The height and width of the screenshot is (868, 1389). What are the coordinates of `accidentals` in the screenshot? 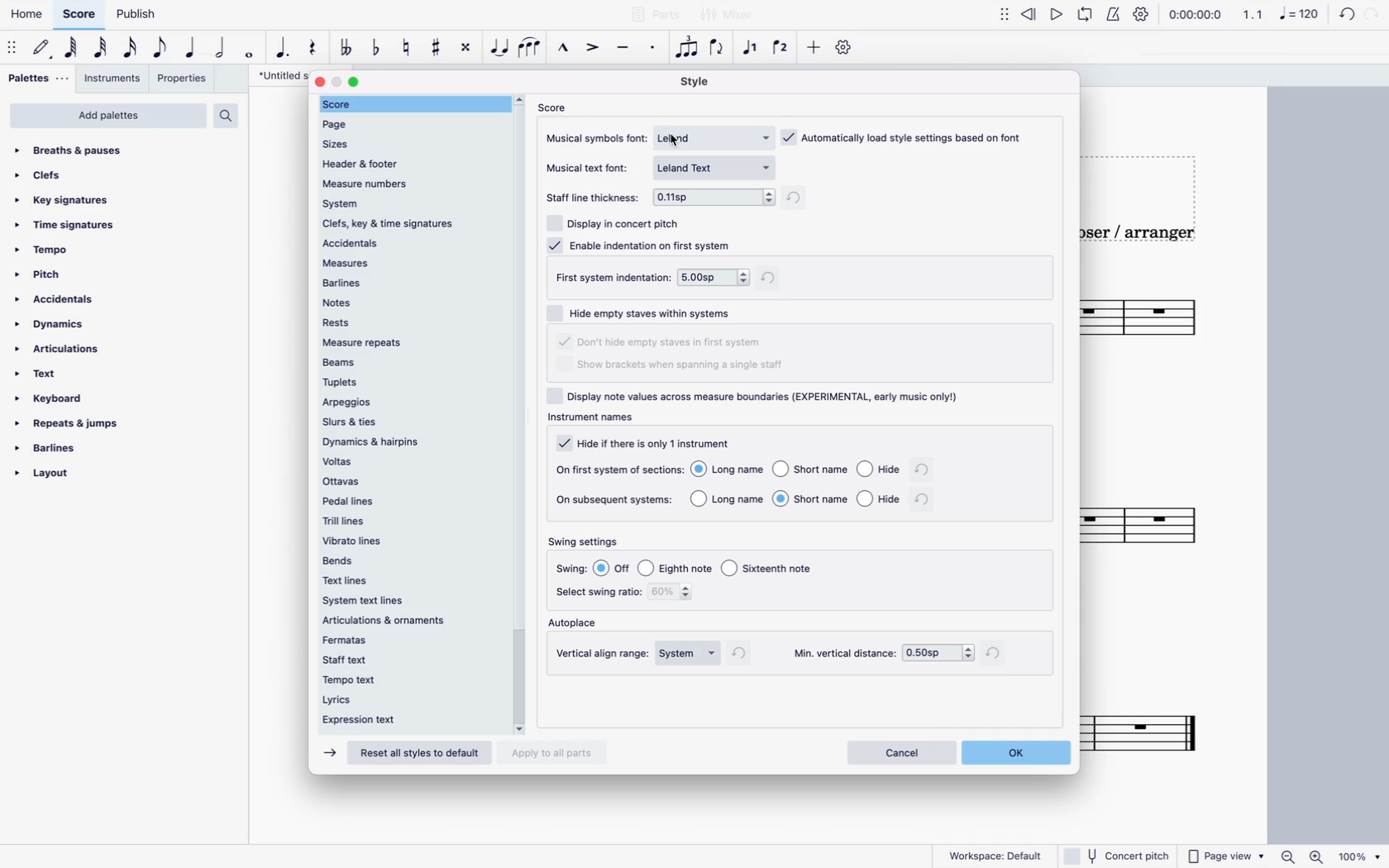 It's located at (413, 243).